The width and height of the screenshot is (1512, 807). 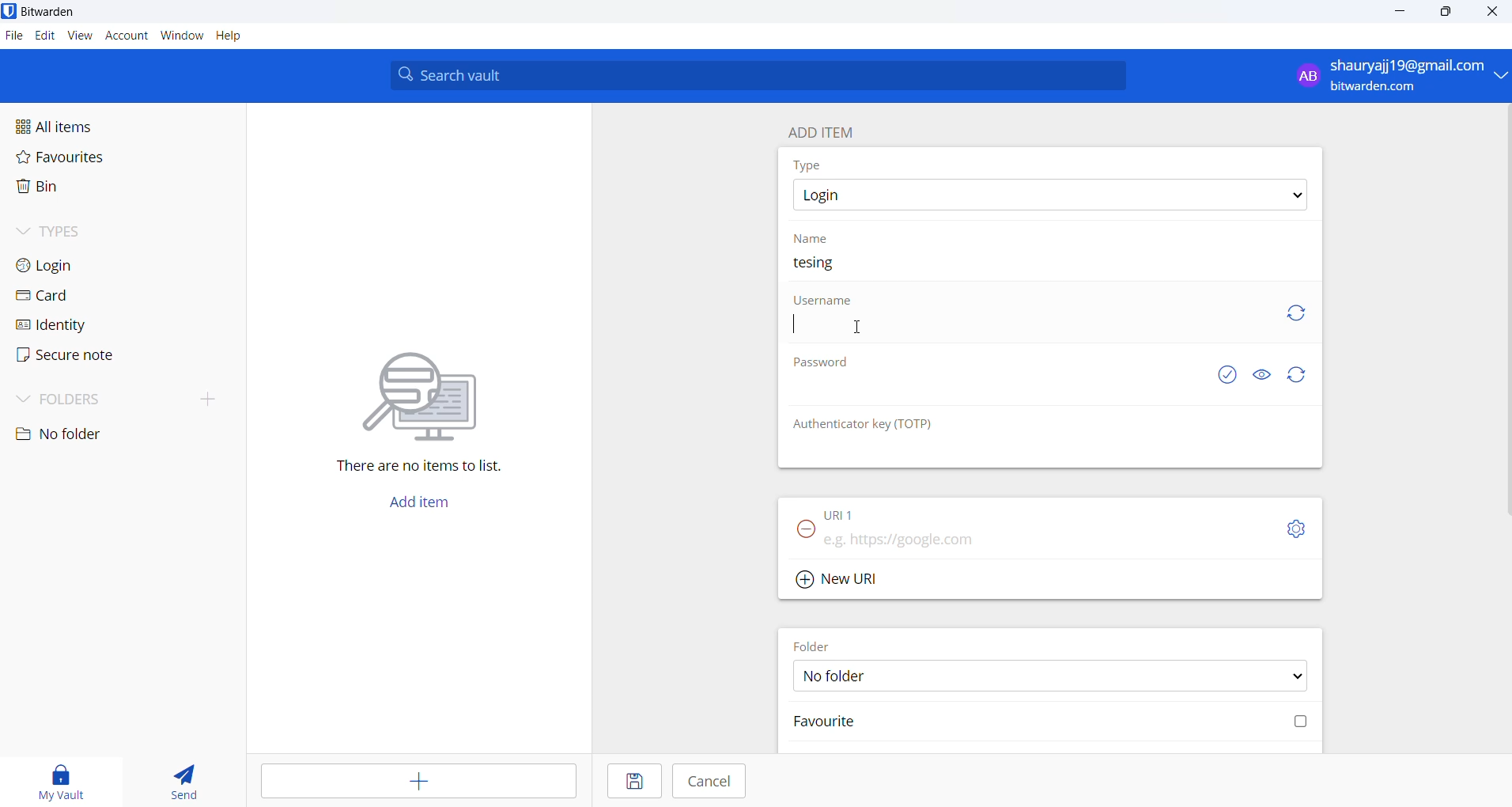 I want to click on no folder, so click(x=108, y=434).